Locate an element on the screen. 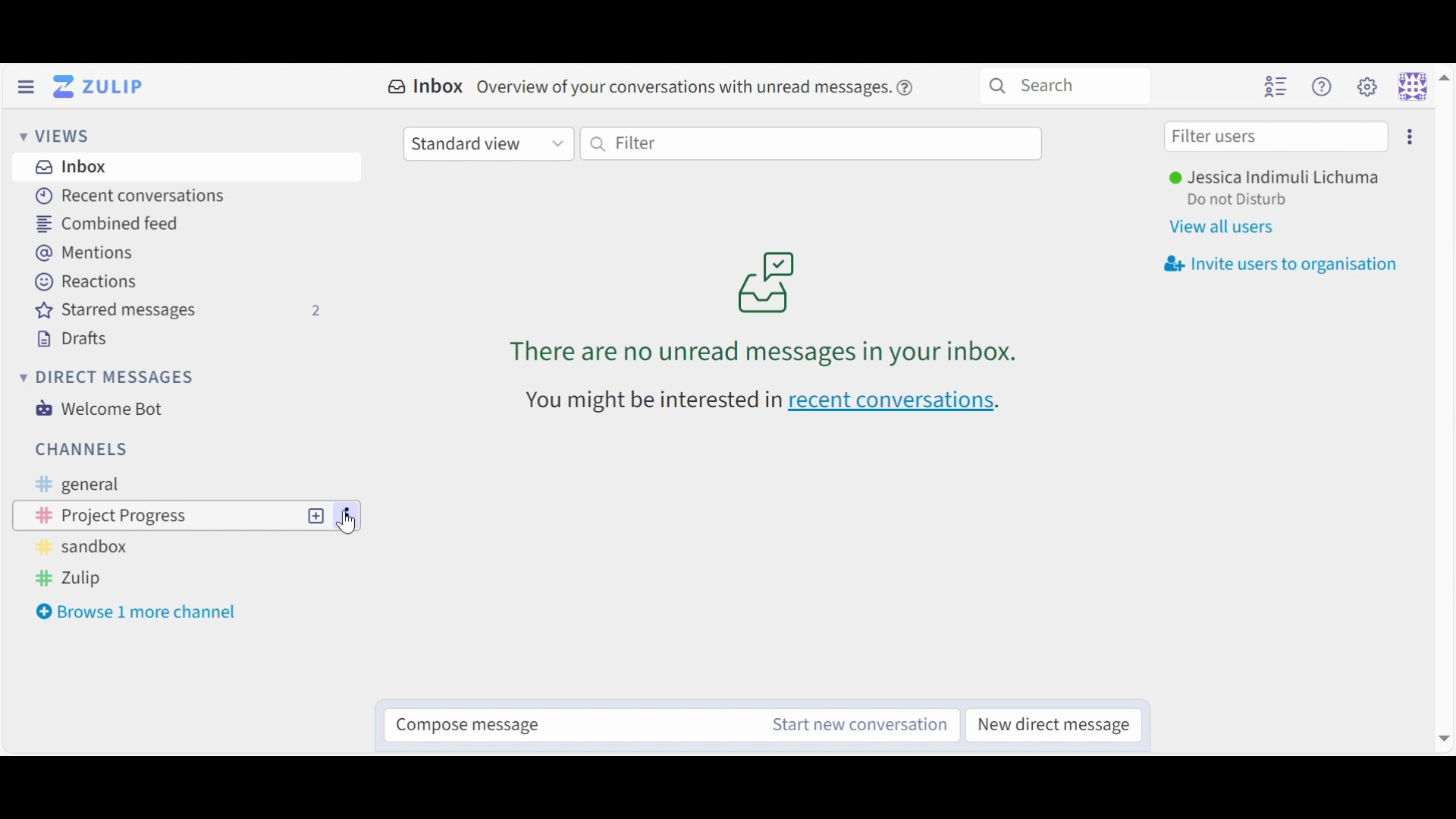 The image size is (1456, 819). Help menu is located at coordinates (1322, 86).